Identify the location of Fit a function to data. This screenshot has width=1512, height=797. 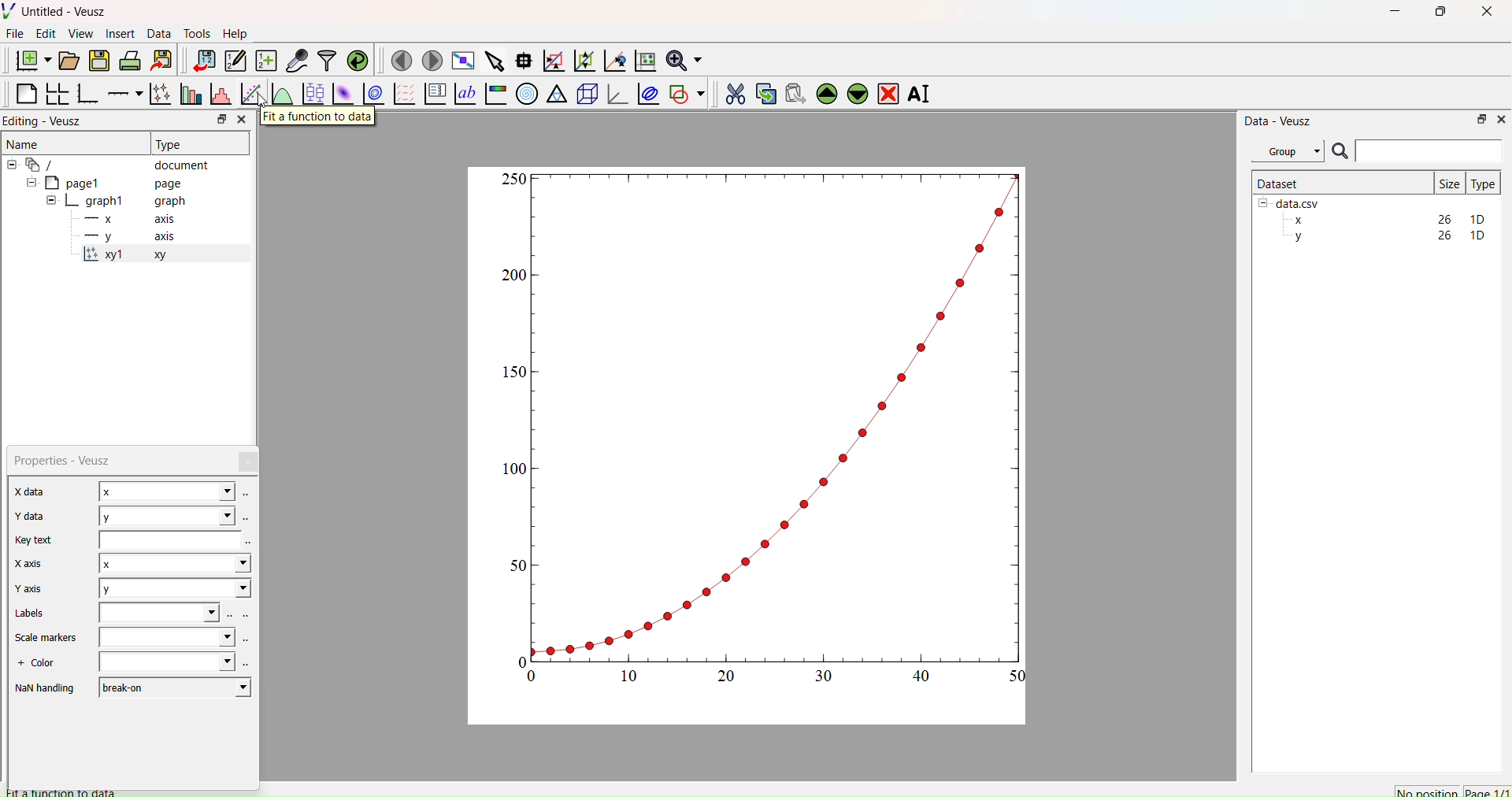
(98, 791).